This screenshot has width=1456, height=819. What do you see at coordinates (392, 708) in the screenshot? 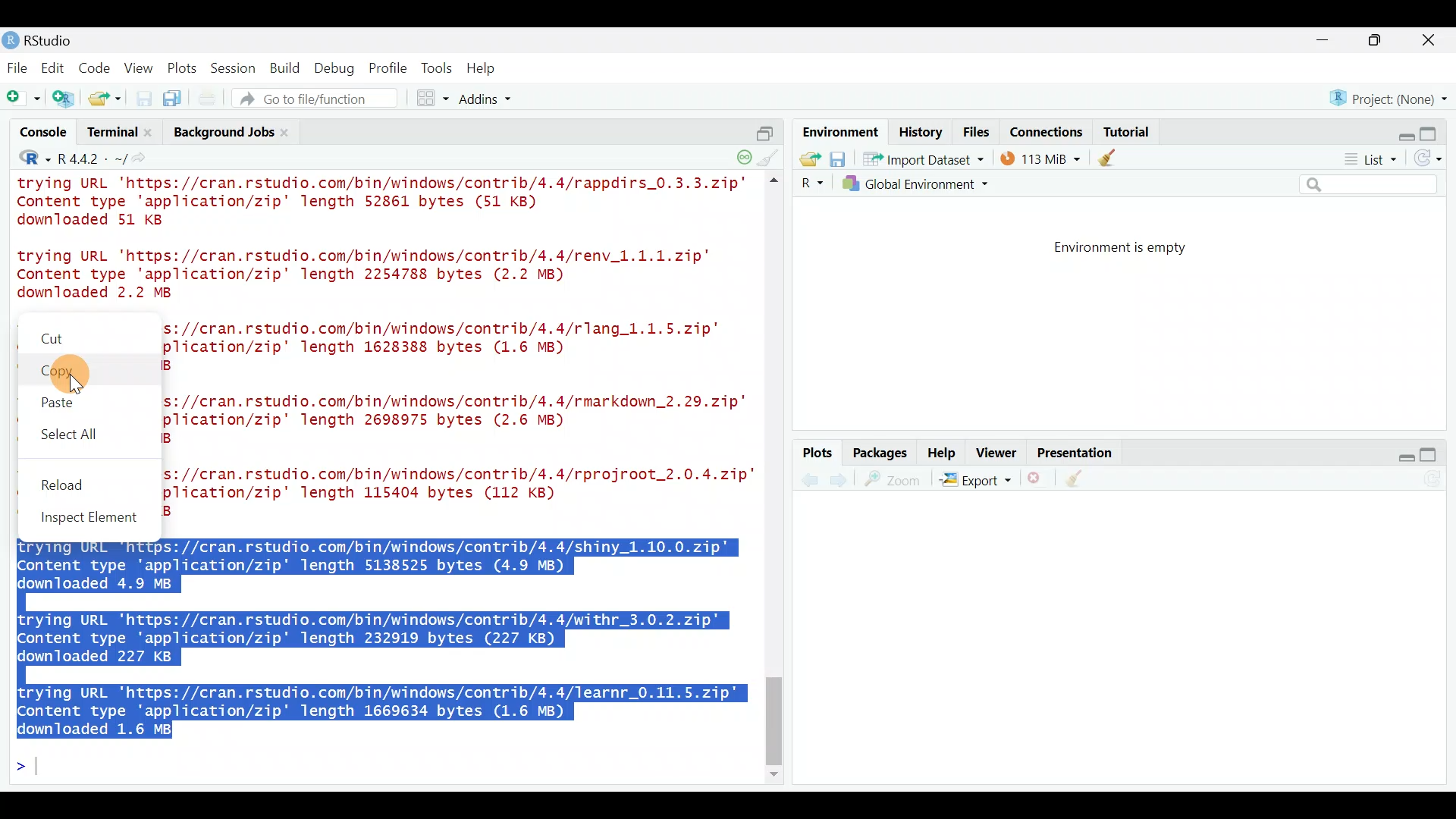
I see `trying URL 'https://cran.rstudio.com/bin/windows/contrib/4.4/learnr_0.11.5.zip"
Content type 'application/zip' length 1669634 bytes (1.6 MB)
downloaded 1.6` at bounding box center [392, 708].